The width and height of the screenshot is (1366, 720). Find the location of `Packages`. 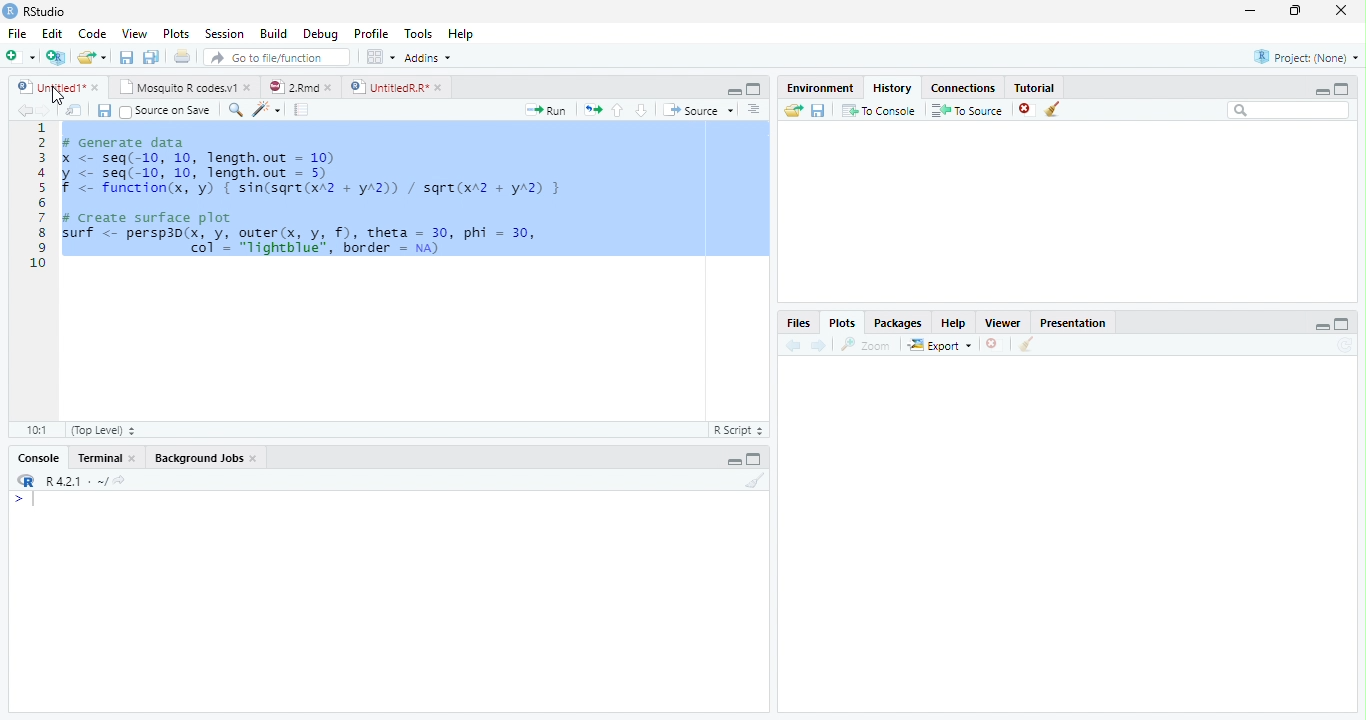

Packages is located at coordinates (898, 322).